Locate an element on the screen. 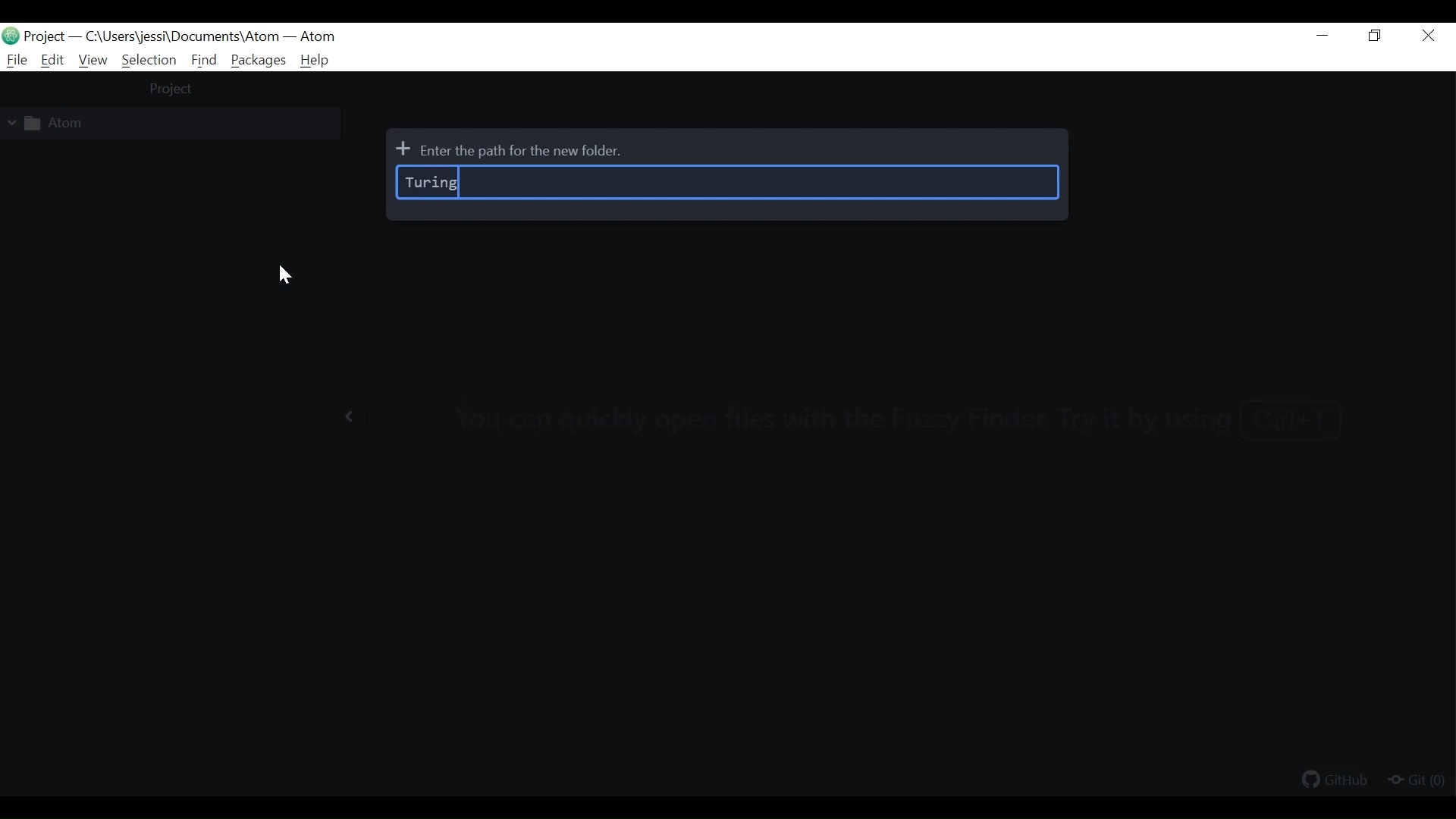 The height and width of the screenshot is (819, 1456). Close is located at coordinates (1429, 36).